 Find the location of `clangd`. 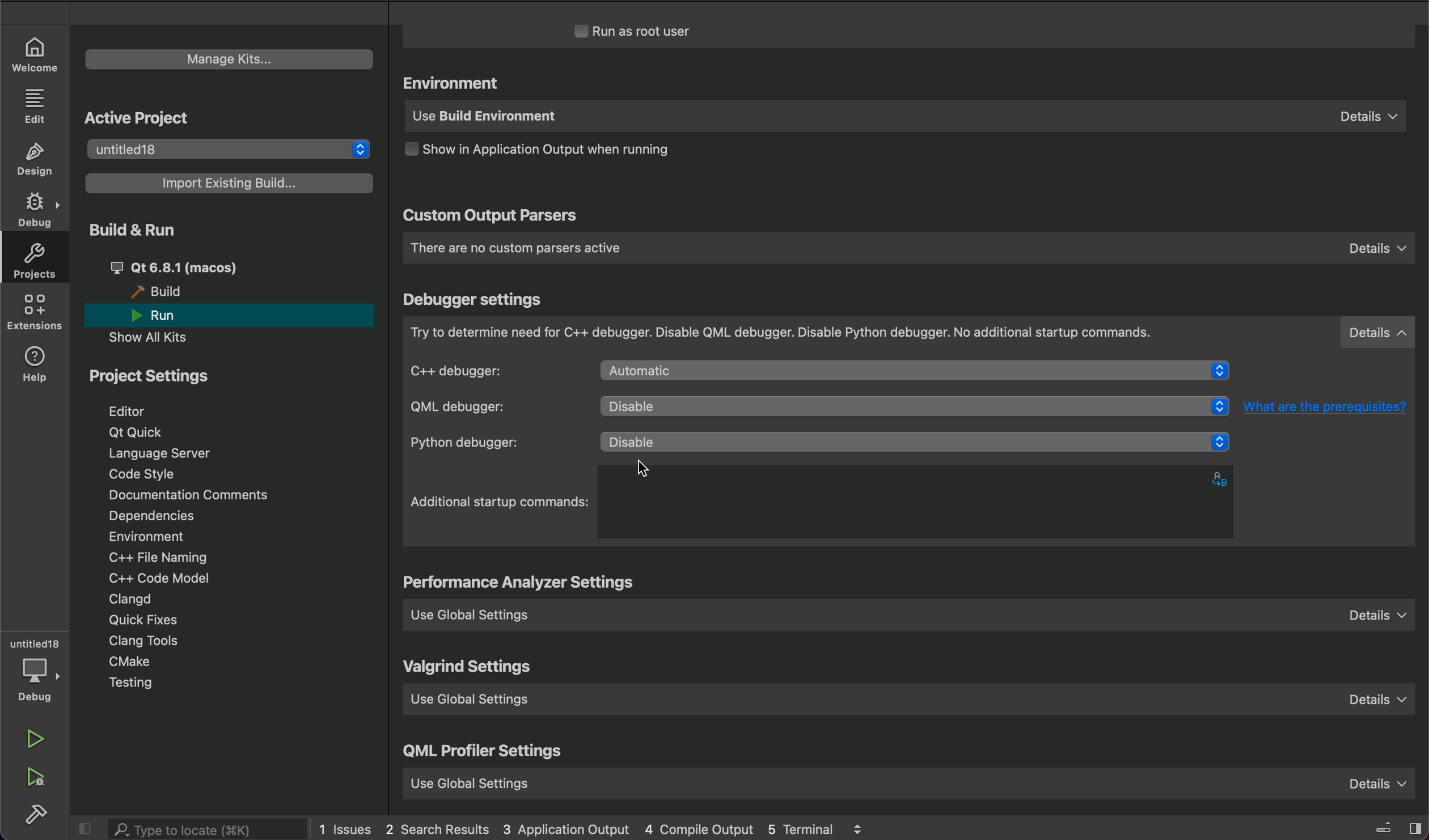

clangd is located at coordinates (132, 600).